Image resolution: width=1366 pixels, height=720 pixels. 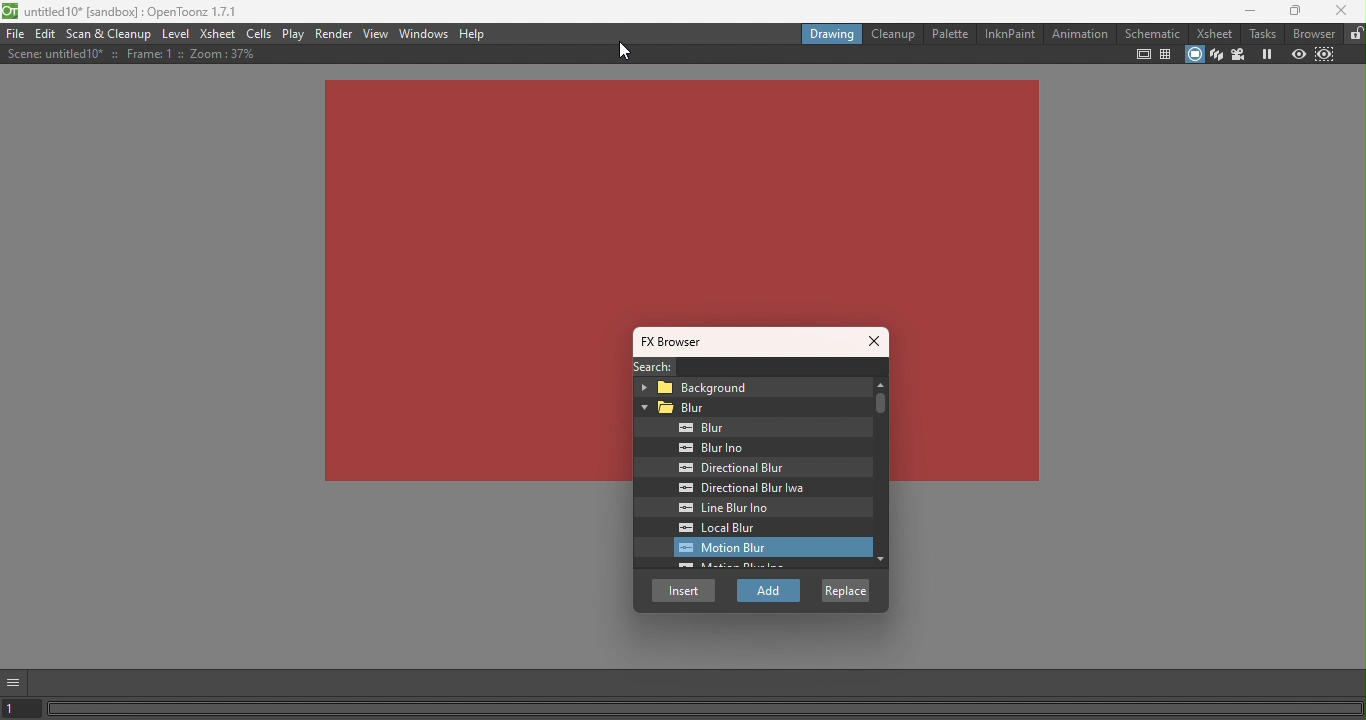 What do you see at coordinates (262, 34) in the screenshot?
I see `Cells` at bounding box center [262, 34].